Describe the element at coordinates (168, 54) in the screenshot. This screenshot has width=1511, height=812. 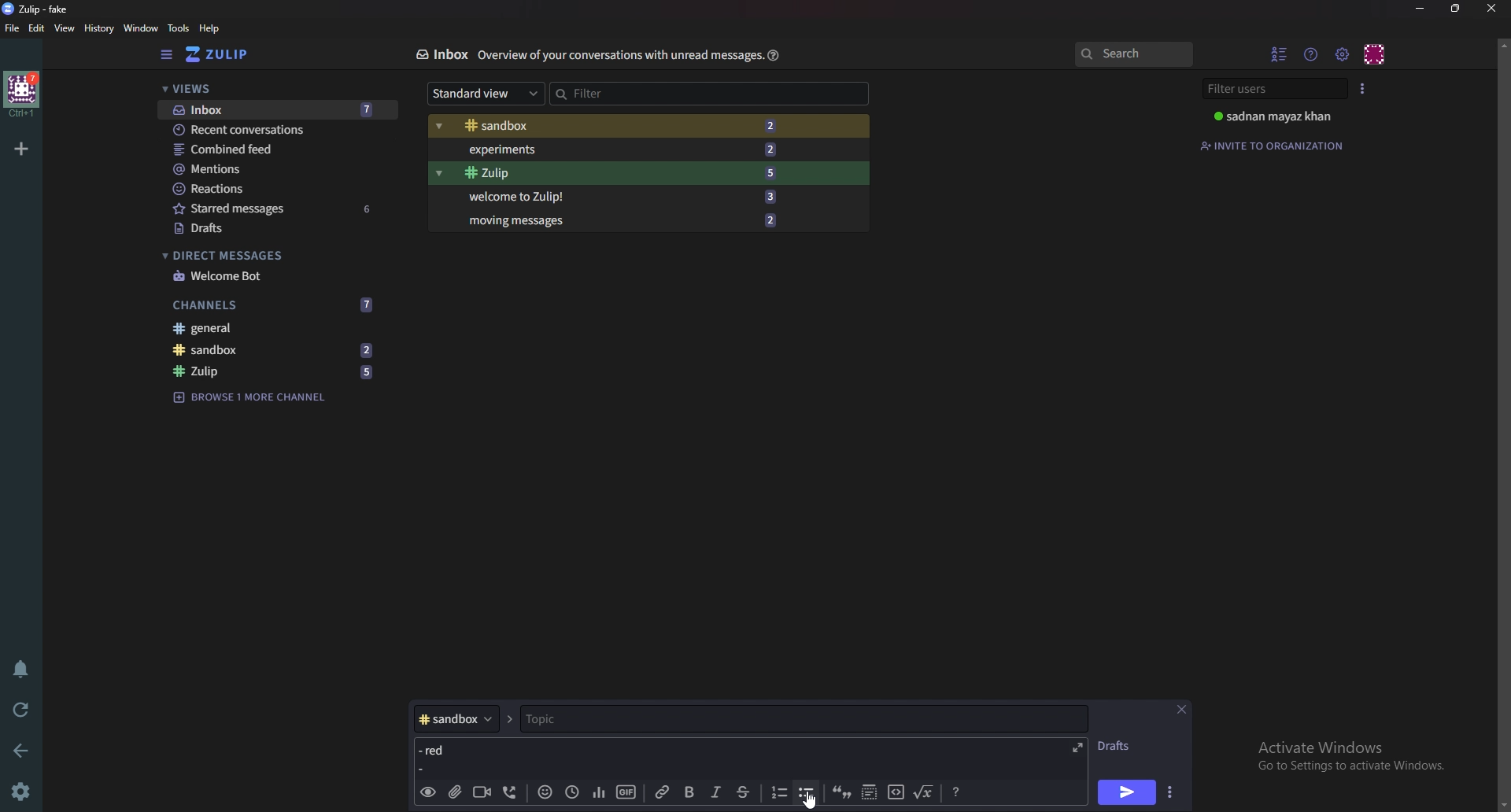
I see `Hide sidebar` at that location.